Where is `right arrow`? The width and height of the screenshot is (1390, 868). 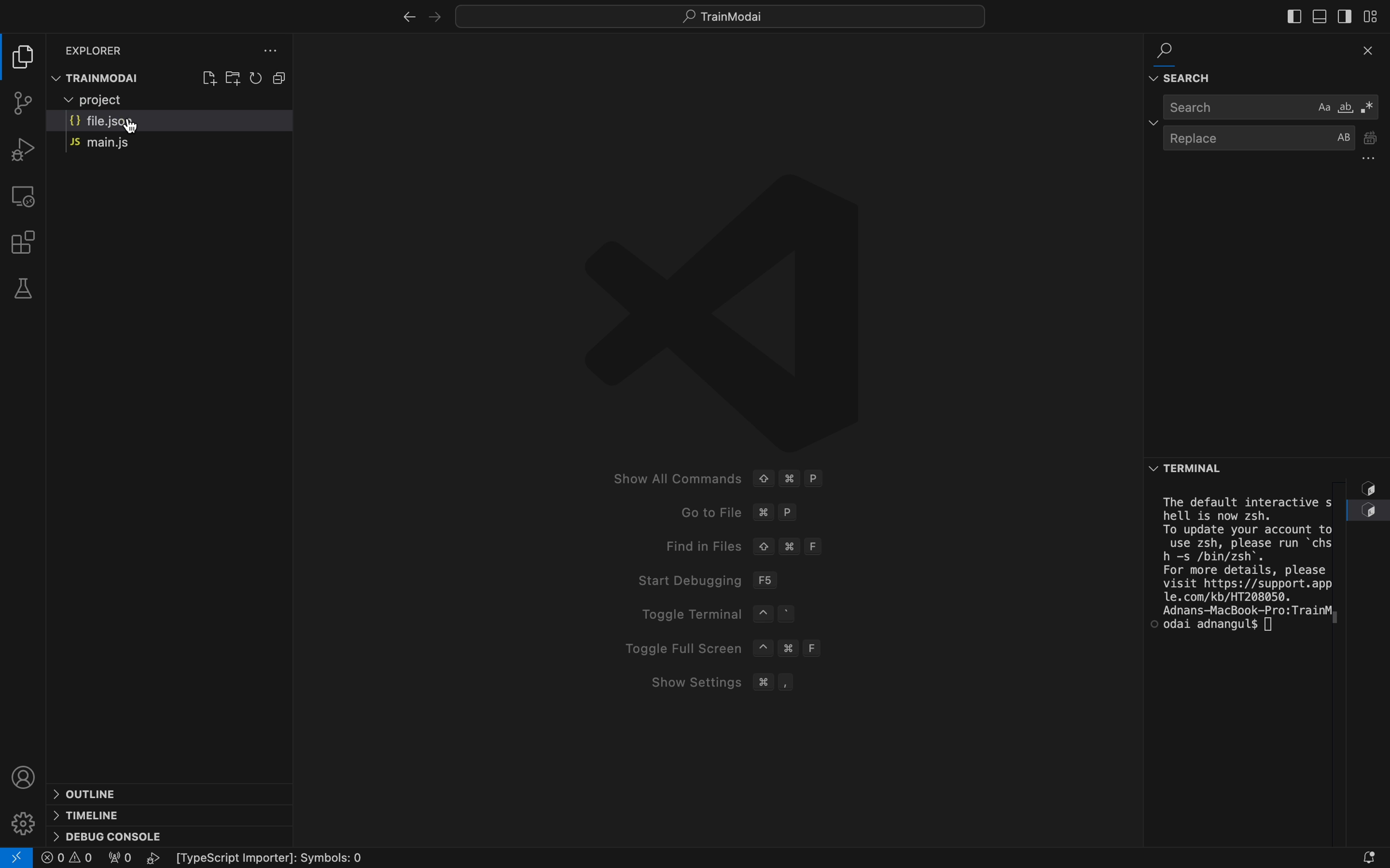 right arrow is located at coordinates (401, 16).